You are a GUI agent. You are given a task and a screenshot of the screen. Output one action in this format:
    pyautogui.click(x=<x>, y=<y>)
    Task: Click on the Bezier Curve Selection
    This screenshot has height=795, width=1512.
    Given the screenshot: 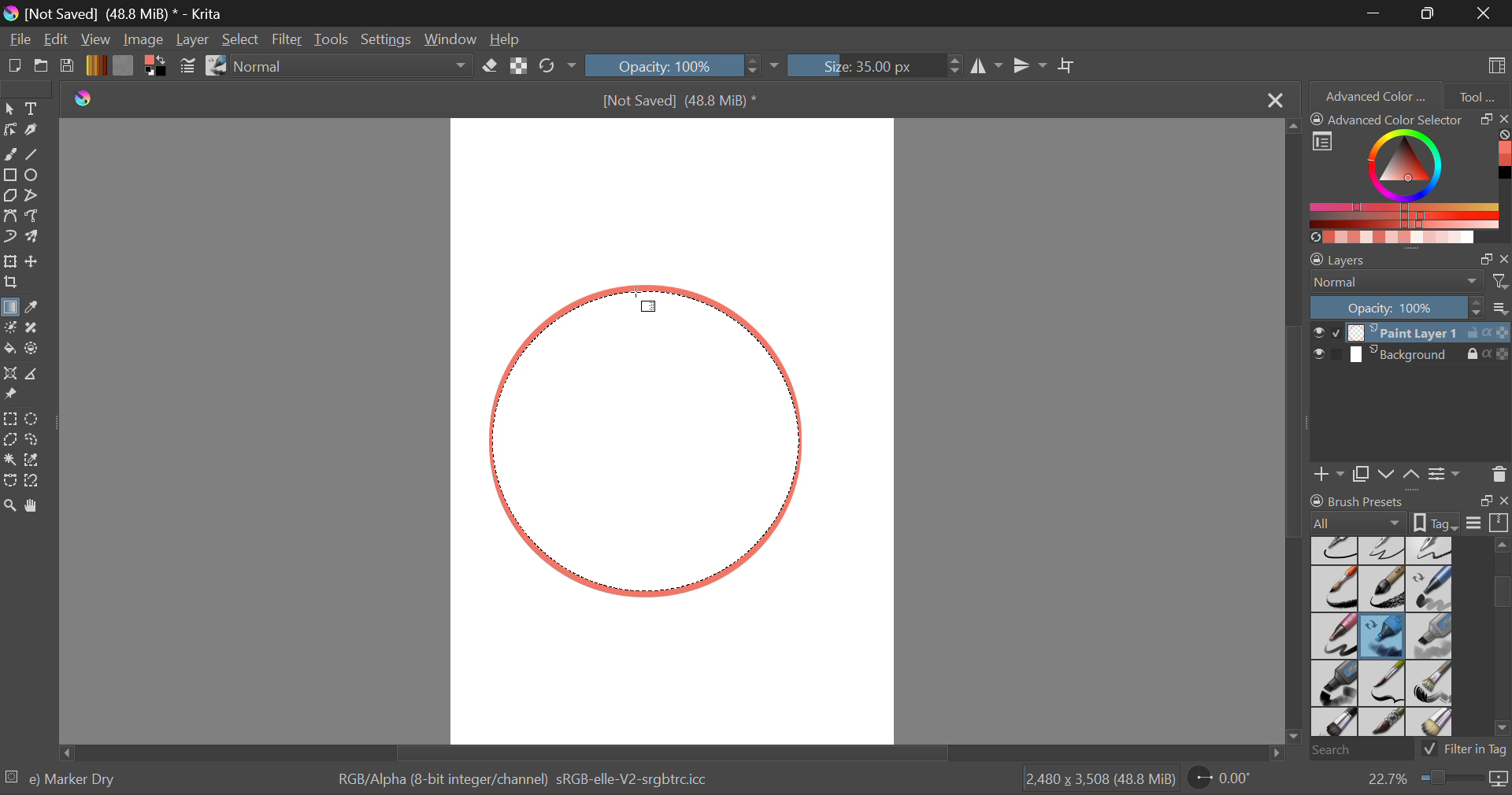 What is the action you would take?
    pyautogui.click(x=9, y=481)
    